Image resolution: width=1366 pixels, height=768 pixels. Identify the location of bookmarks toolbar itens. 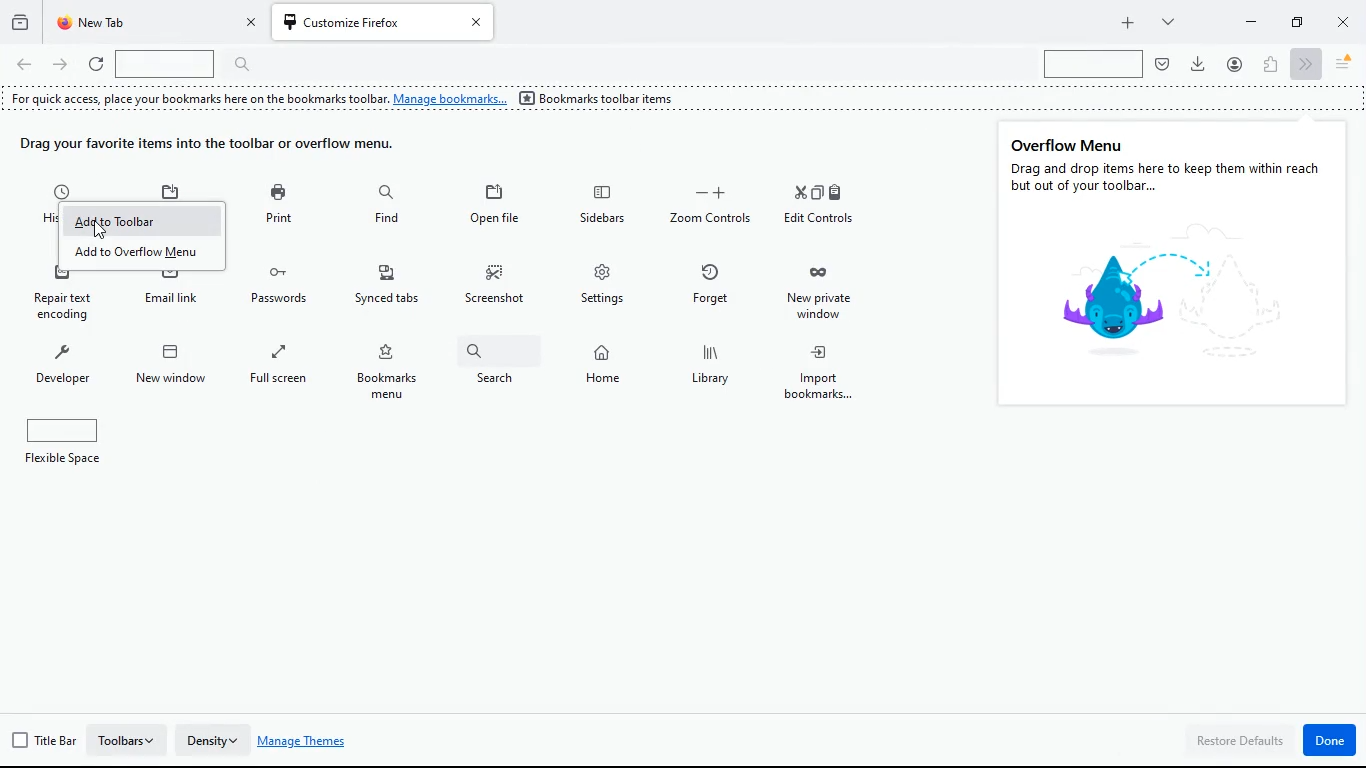
(602, 100).